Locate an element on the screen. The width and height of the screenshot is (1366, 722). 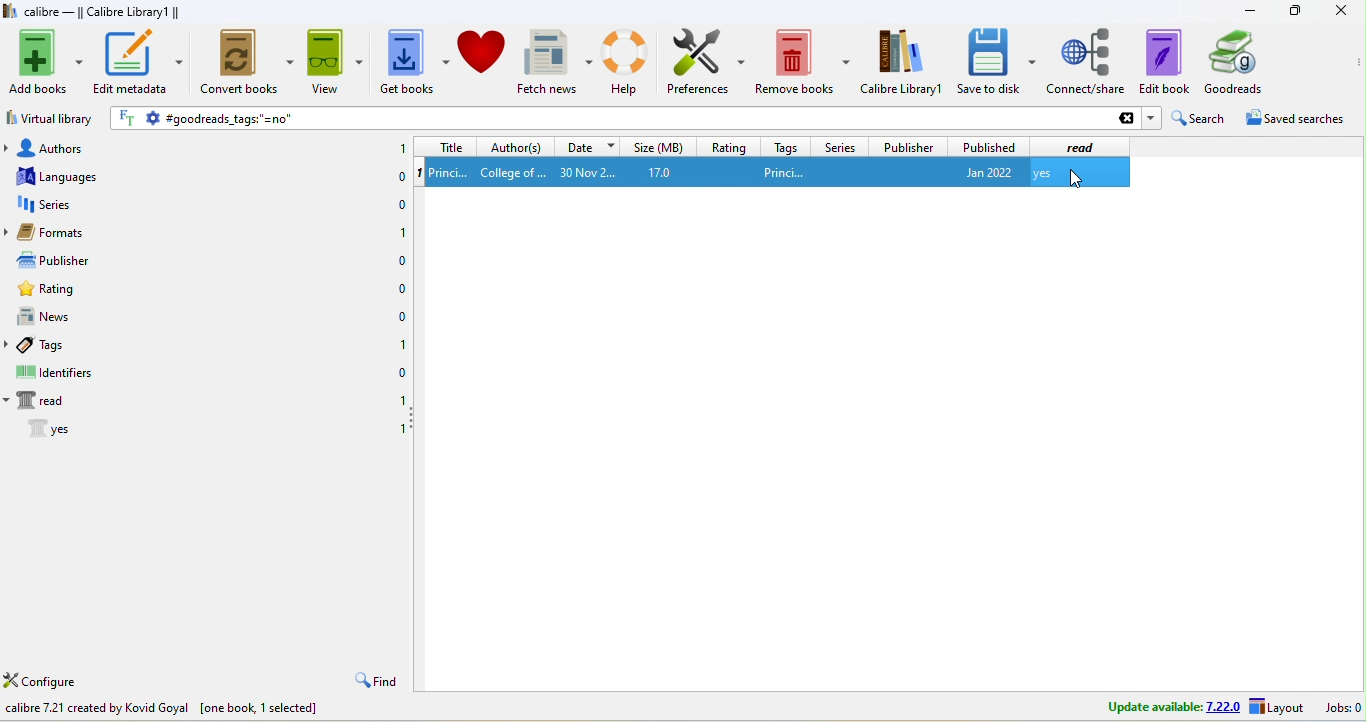
goodreads is located at coordinates (1244, 62).